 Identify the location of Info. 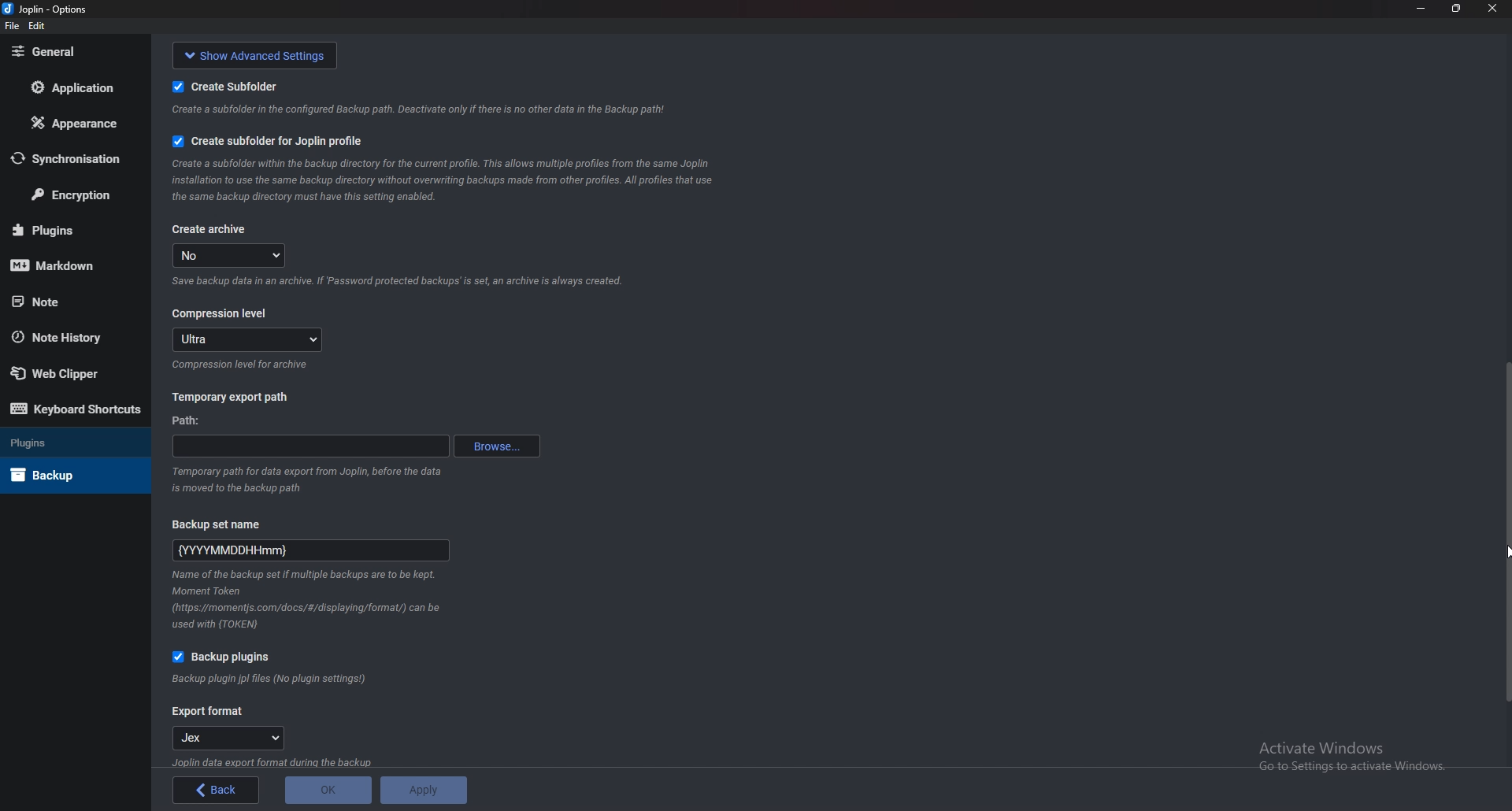
(309, 480).